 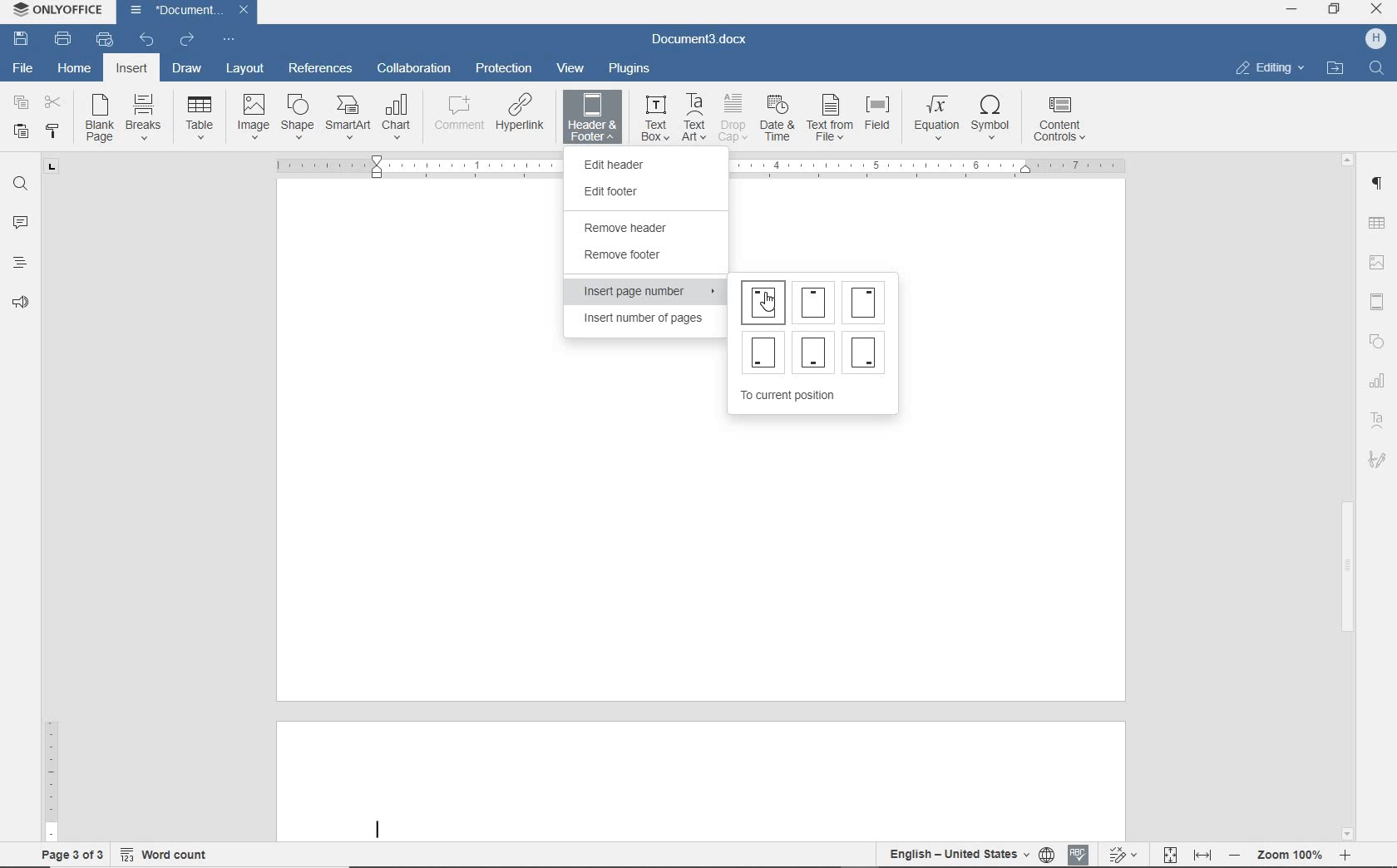 What do you see at coordinates (1378, 419) in the screenshot?
I see `Text art` at bounding box center [1378, 419].